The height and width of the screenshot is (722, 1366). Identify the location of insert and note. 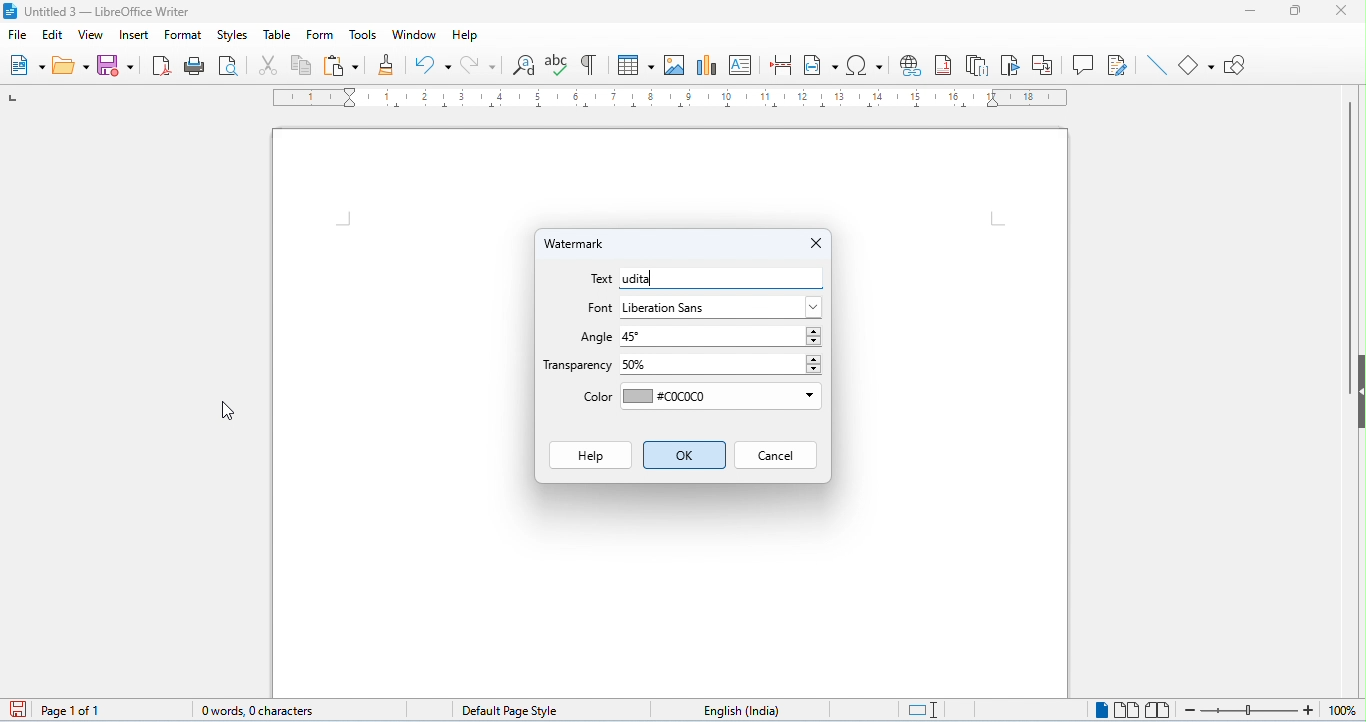
(978, 66).